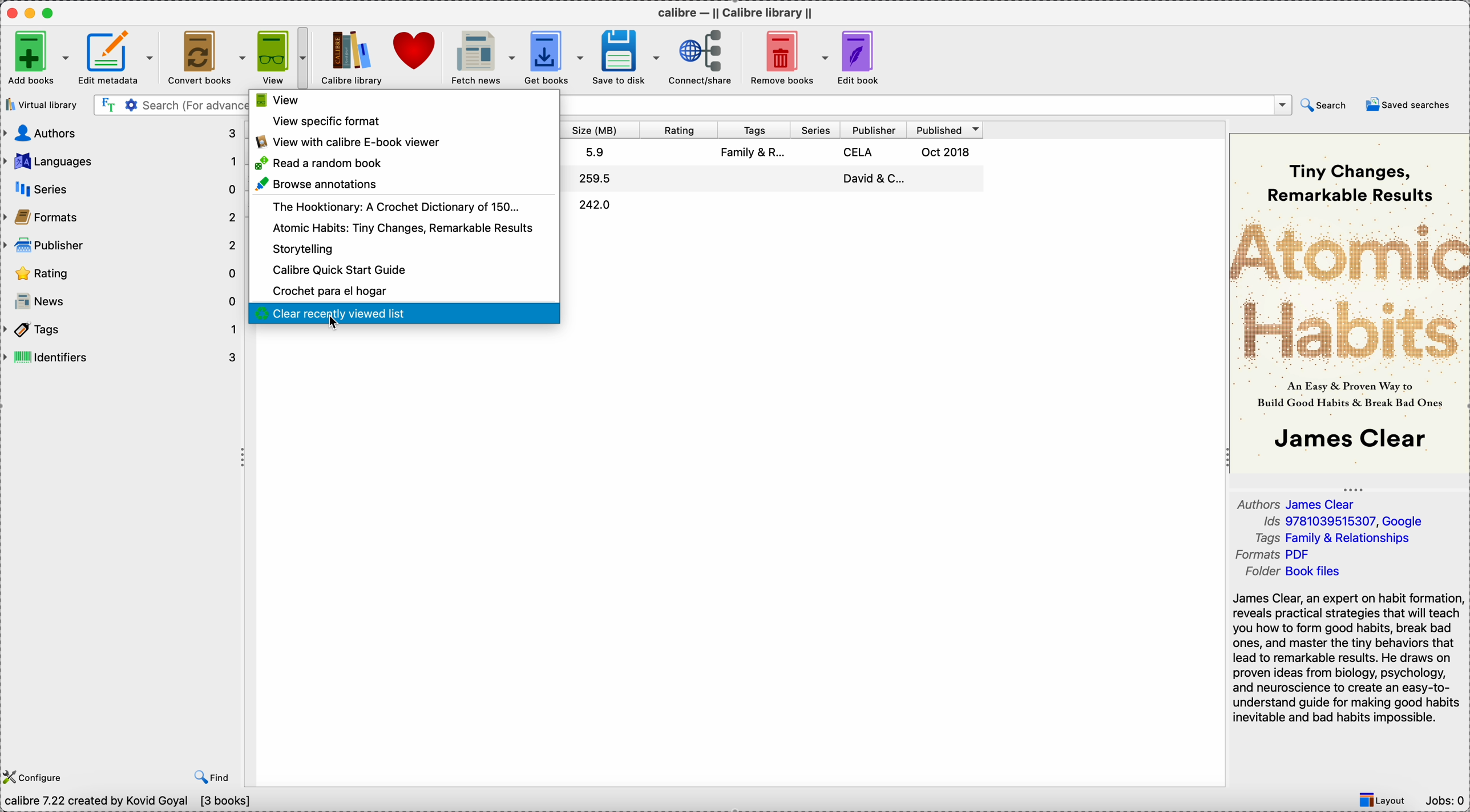 This screenshot has width=1470, height=812. Describe the element at coordinates (553, 58) in the screenshot. I see `get books` at that location.